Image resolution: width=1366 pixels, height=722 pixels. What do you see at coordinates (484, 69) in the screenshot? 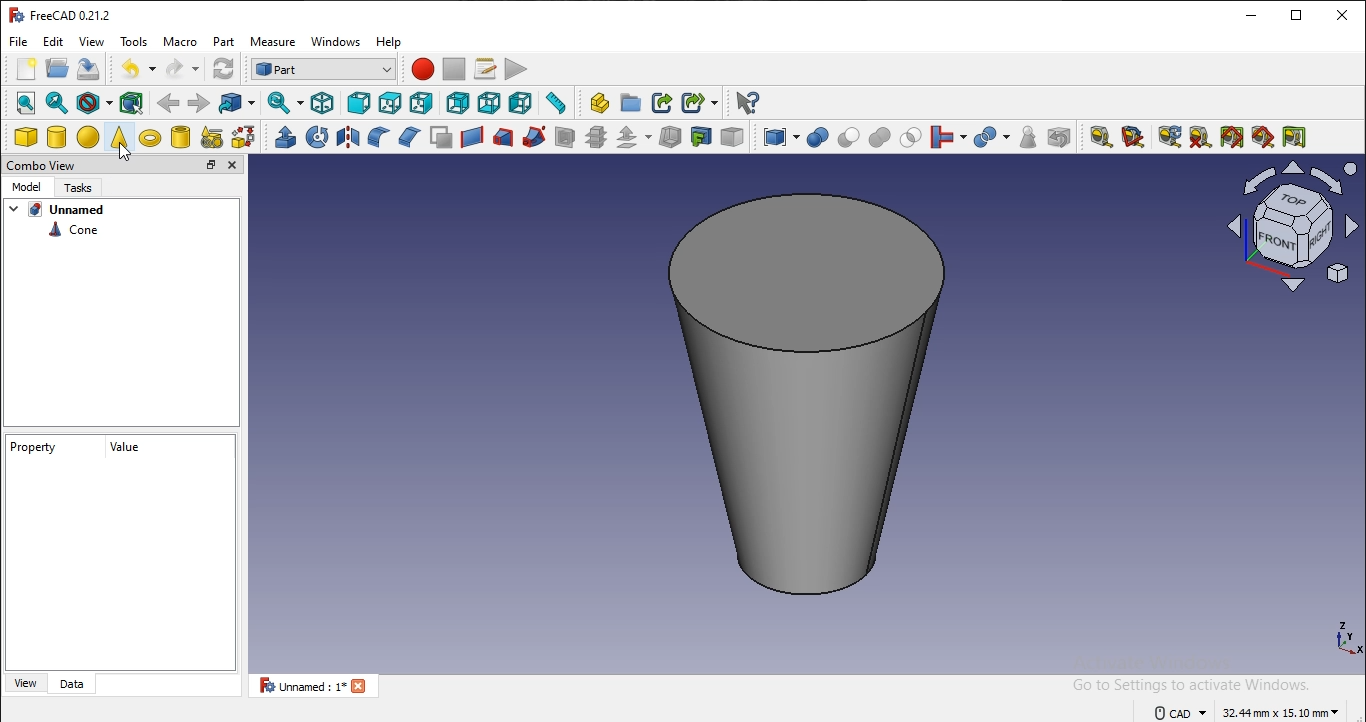
I see `macro` at bounding box center [484, 69].